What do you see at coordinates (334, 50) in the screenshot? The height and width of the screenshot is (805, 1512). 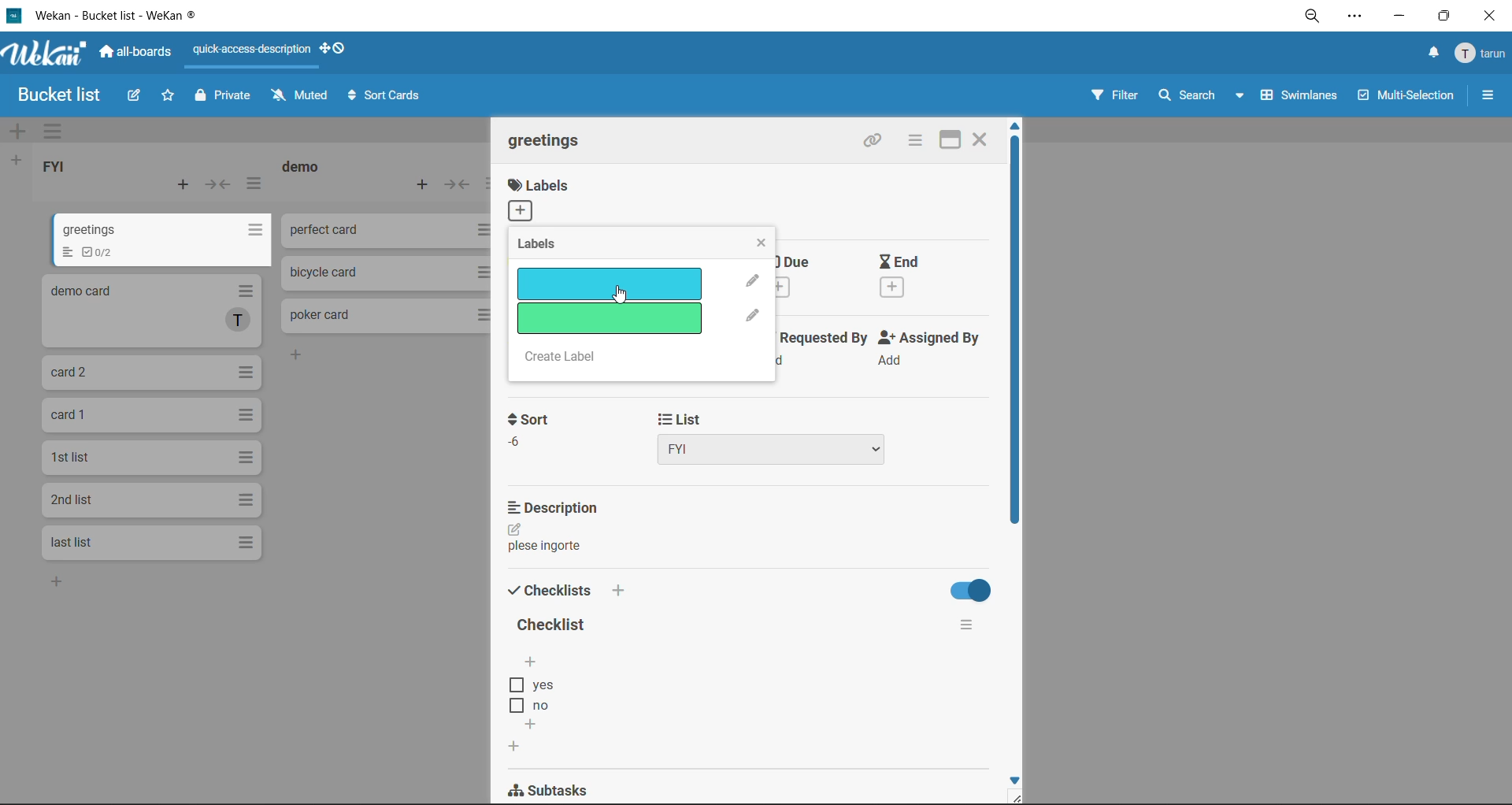 I see `show desktop drag handles` at bounding box center [334, 50].